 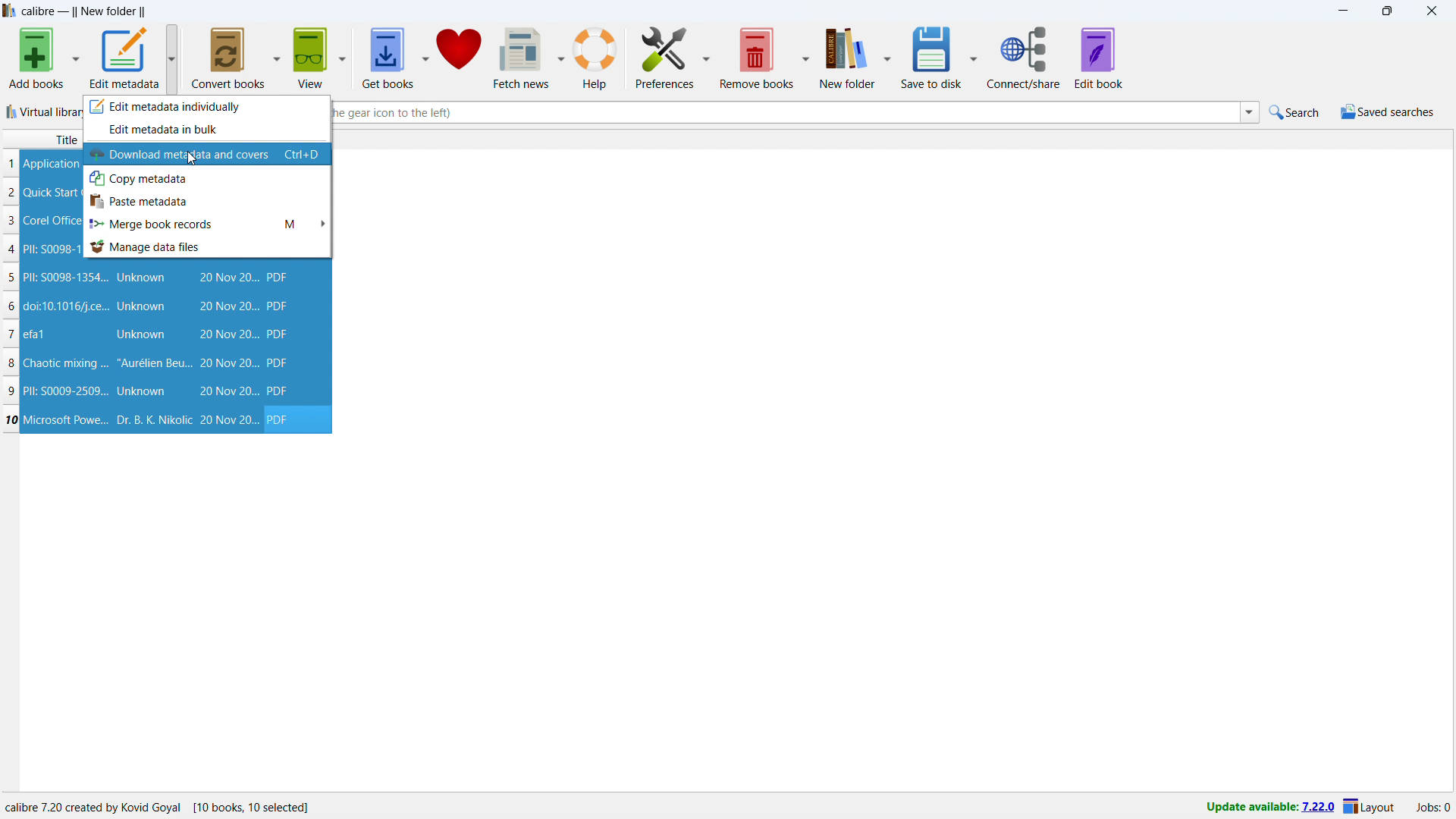 I want to click on cursor, so click(x=194, y=160).